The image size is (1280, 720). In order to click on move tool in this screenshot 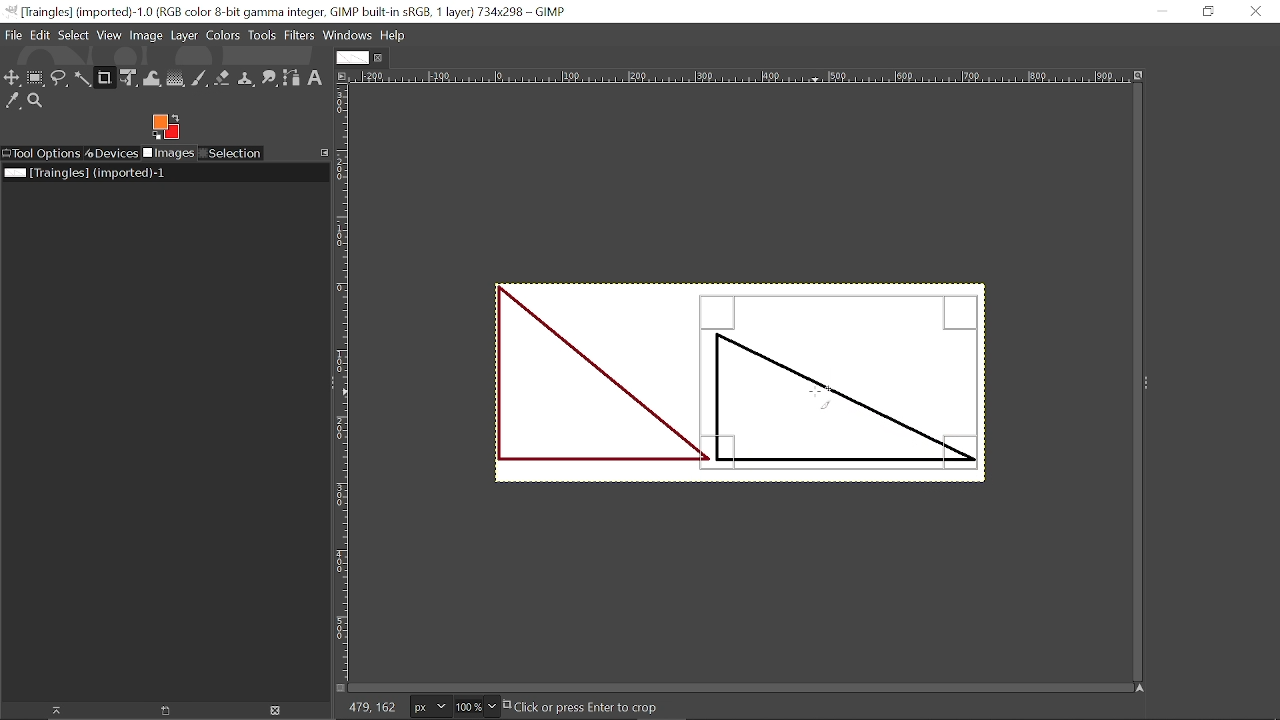, I will do `click(13, 78)`.